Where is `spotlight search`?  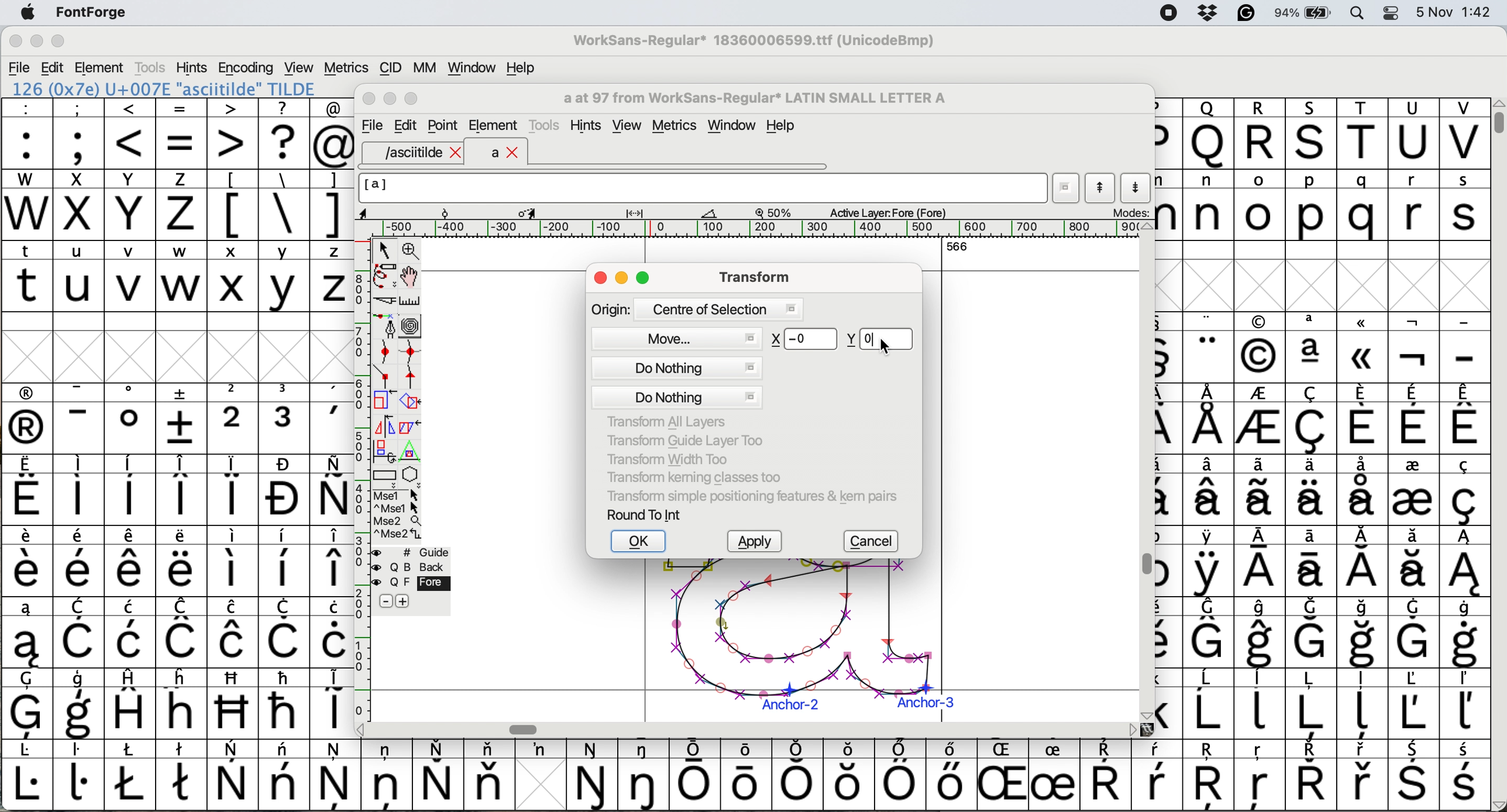 spotlight search is located at coordinates (1364, 12).